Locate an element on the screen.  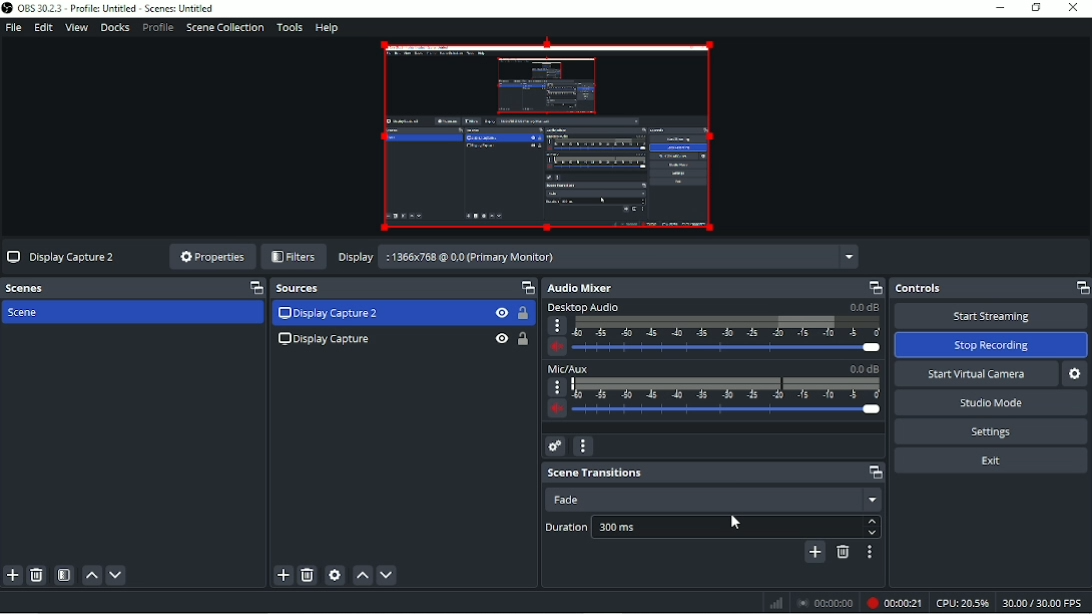
300ms is located at coordinates (722, 526).